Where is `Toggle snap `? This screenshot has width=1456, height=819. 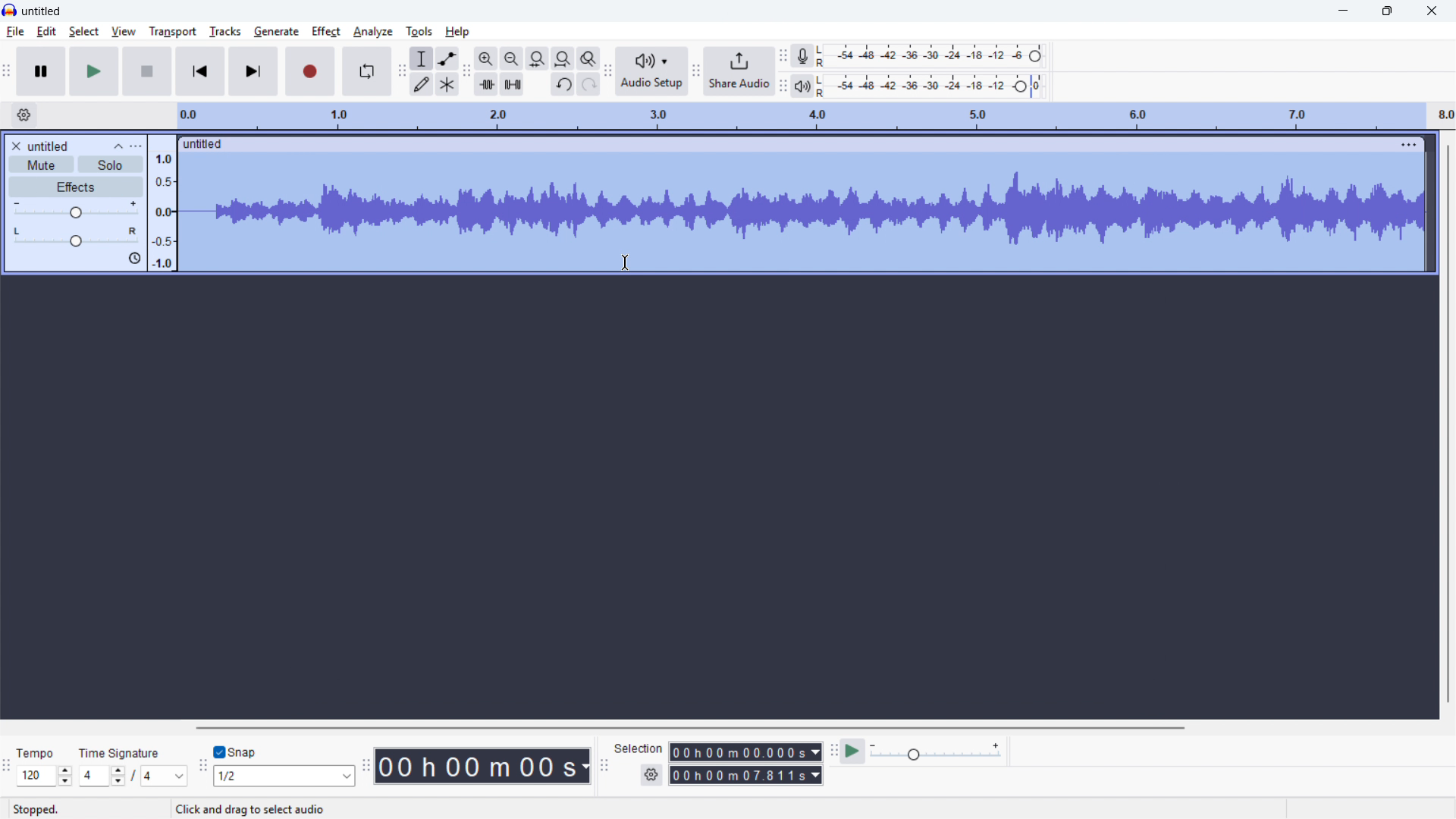
Toggle snap  is located at coordinates (236, 752).